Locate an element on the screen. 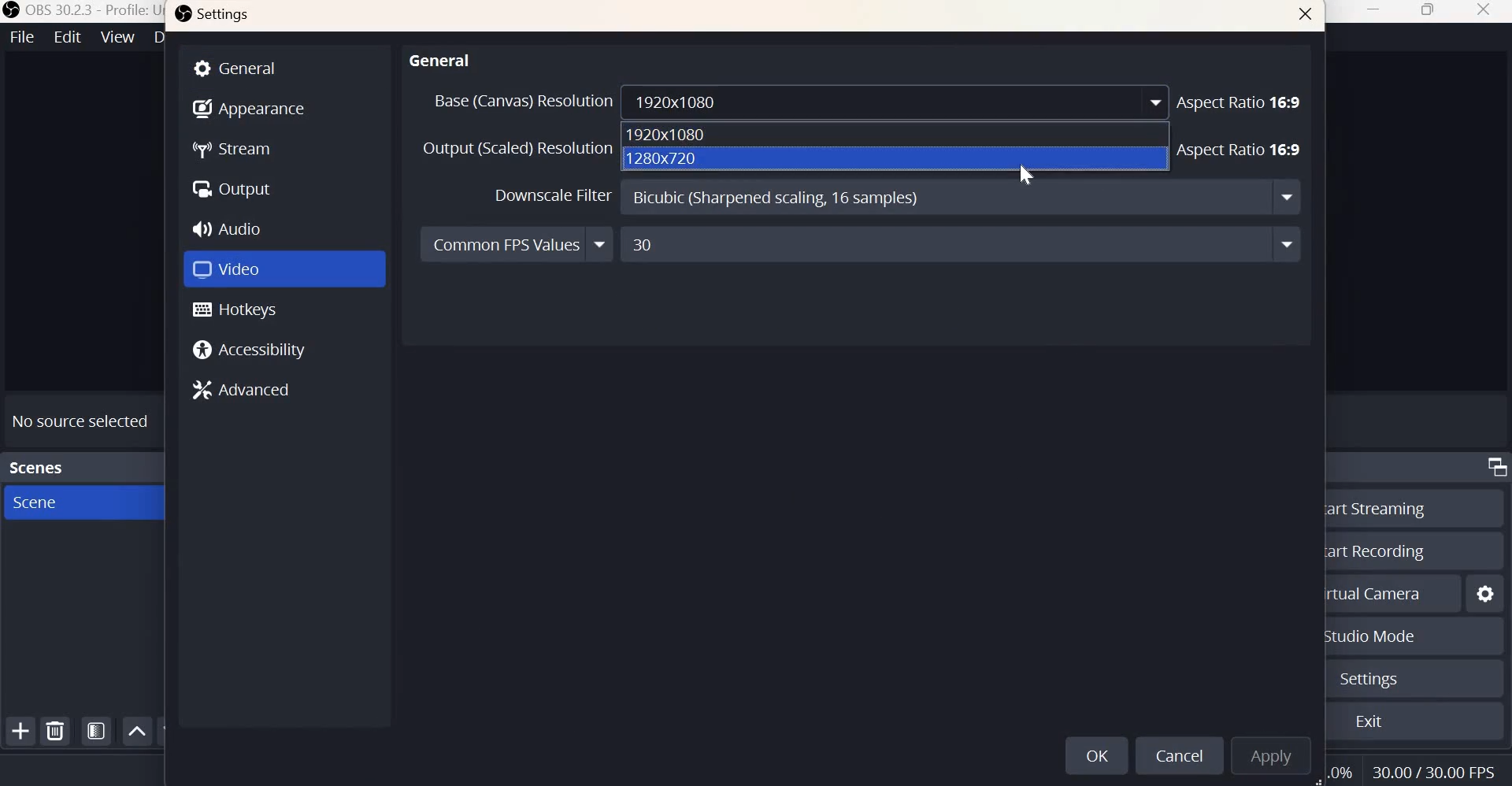 Image resolution: width=1512 pixels, height=786 pixels. Appearance is located at coordinates (249, 106).